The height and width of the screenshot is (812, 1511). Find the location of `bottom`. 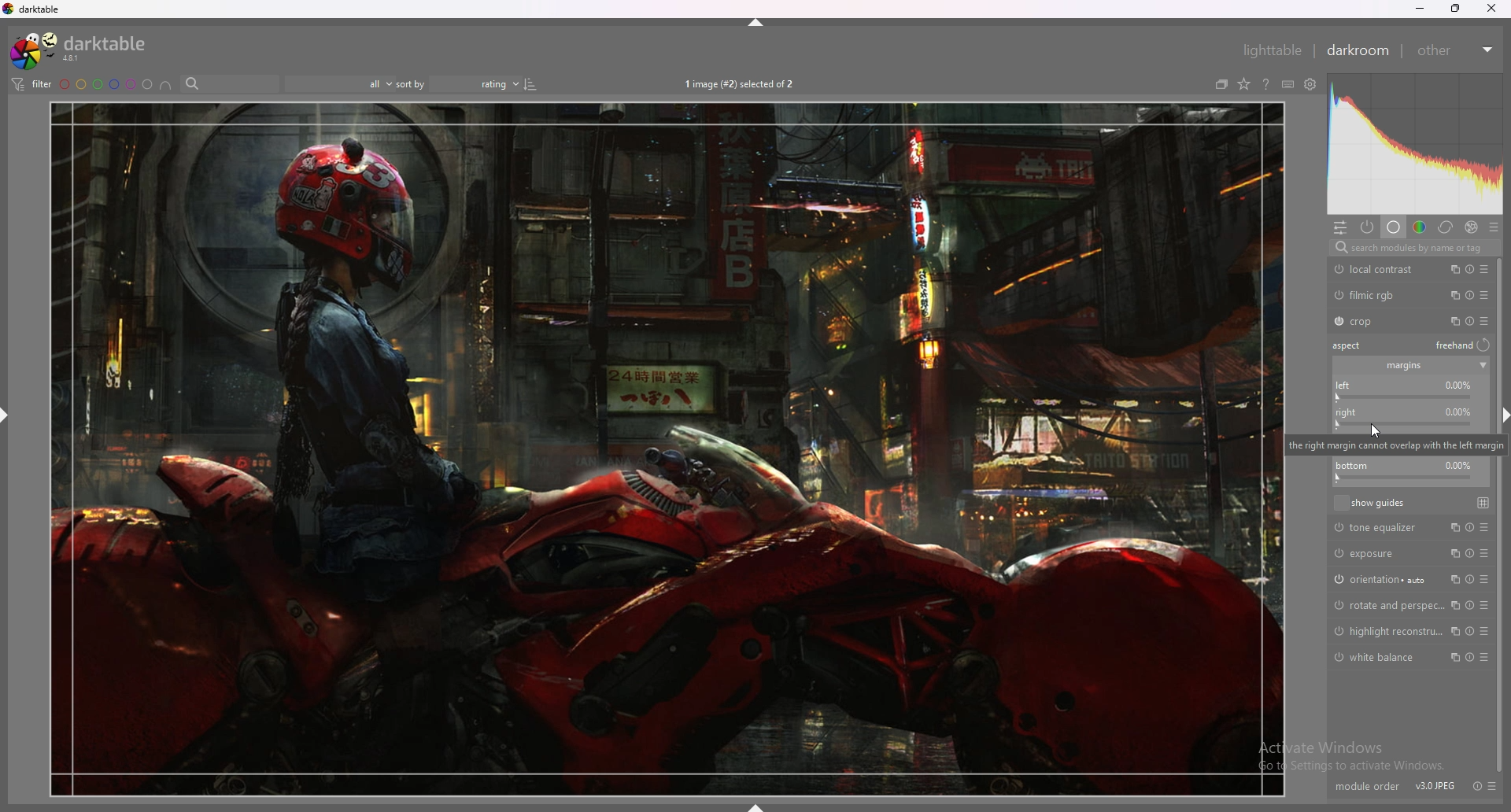

bottom is located at coordinates (1409, 472).